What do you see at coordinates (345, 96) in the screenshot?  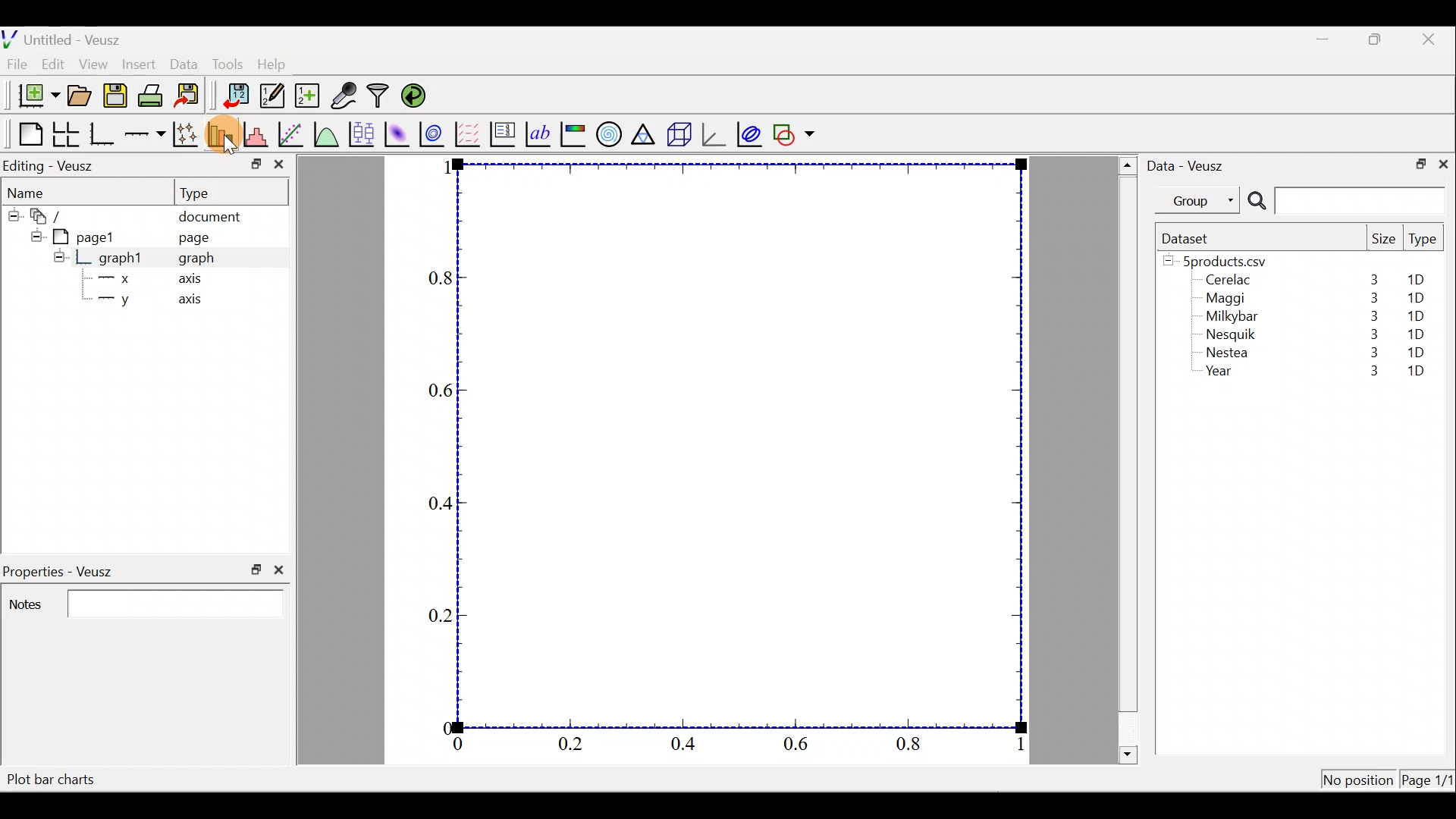 I see `Capture remote data` at bounding box center [345, 96].